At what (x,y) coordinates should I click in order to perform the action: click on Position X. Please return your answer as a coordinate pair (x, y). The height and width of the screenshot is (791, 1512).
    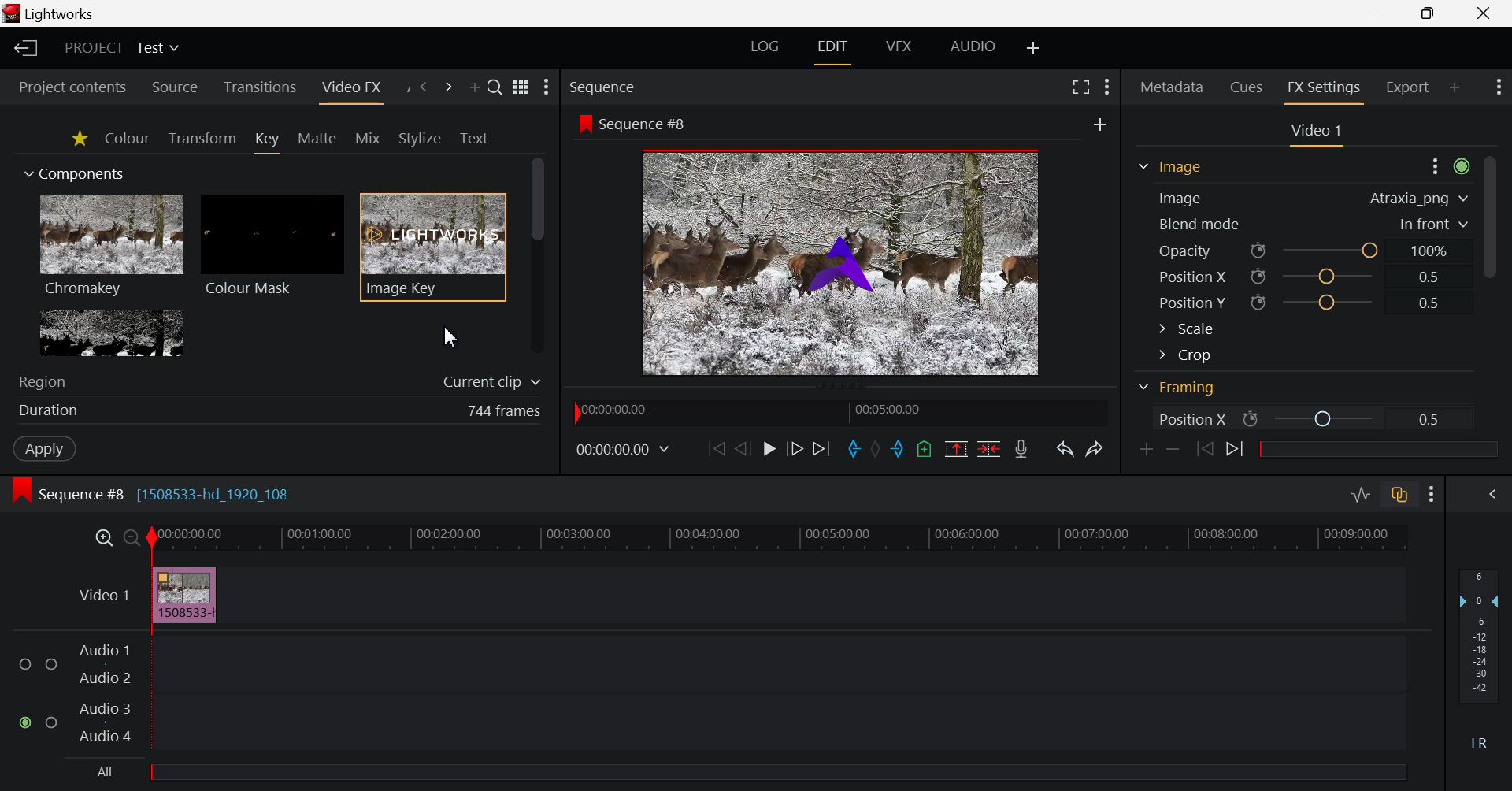
    Looking at the image, I should click on (1323, 417).